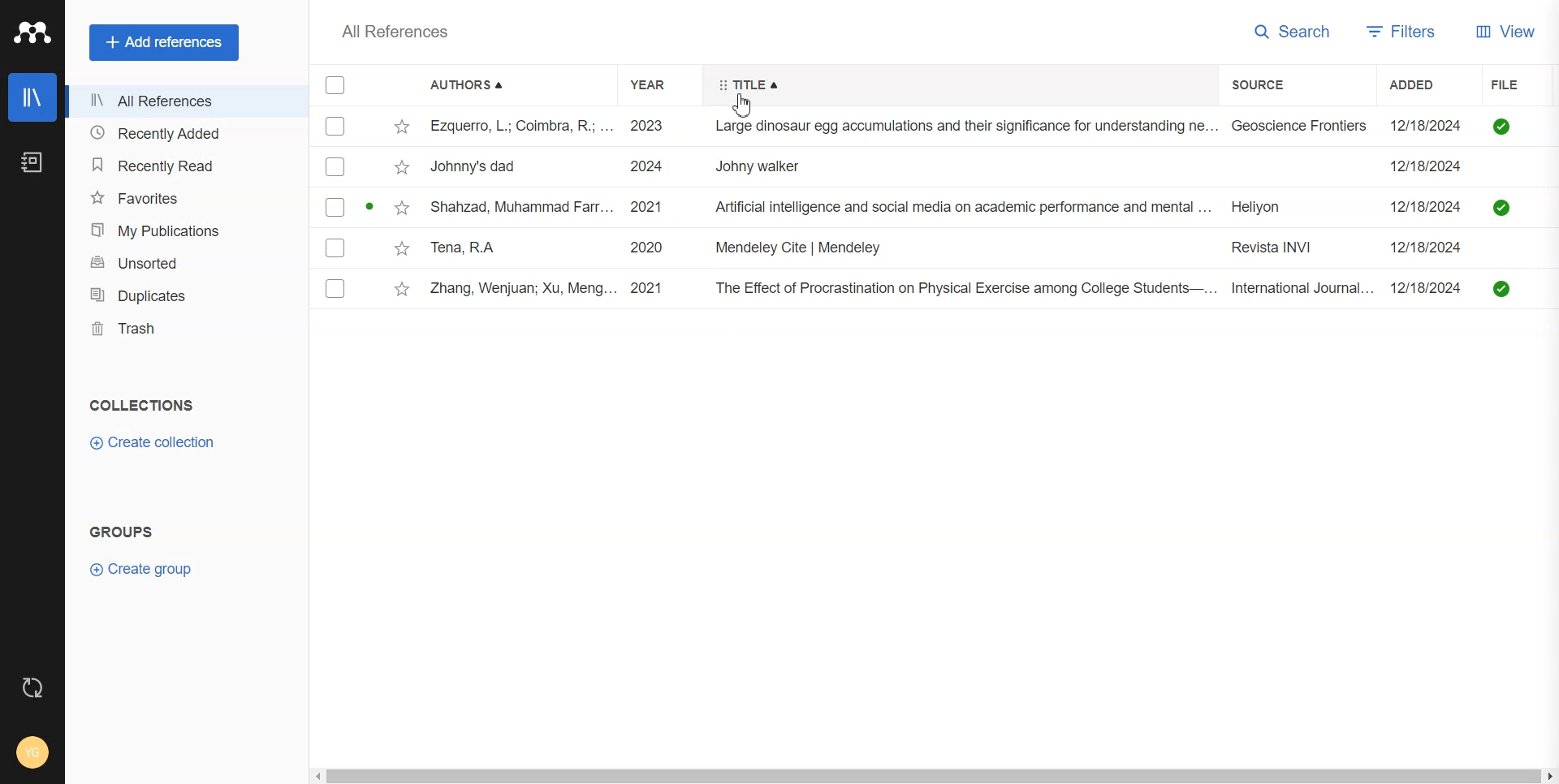  I want to click on select entry, so click(335, 166).